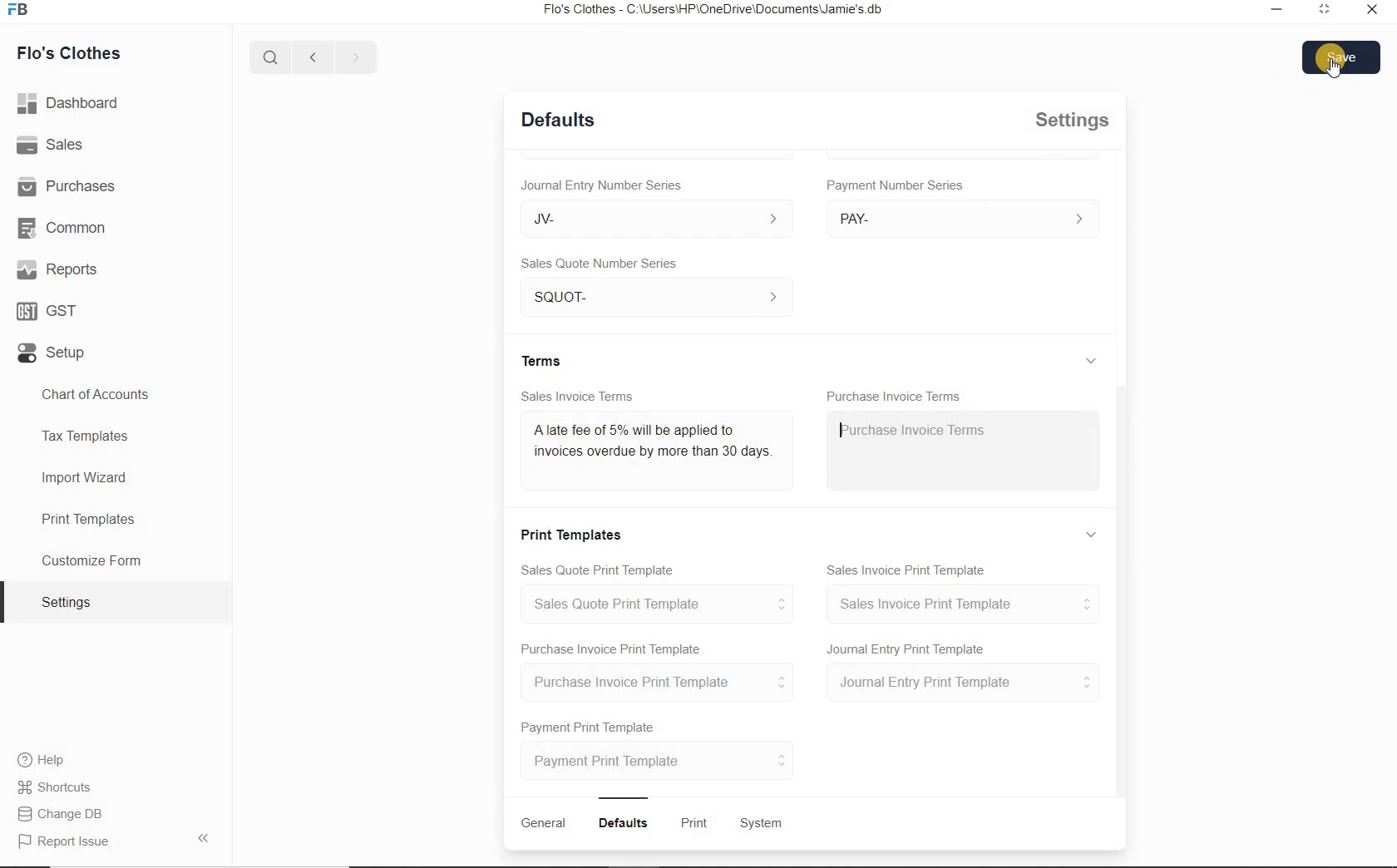 The image size is (1397, 868). Describe the element at coordinates (46, 312) in the screenshot. I see `GST` at that location.